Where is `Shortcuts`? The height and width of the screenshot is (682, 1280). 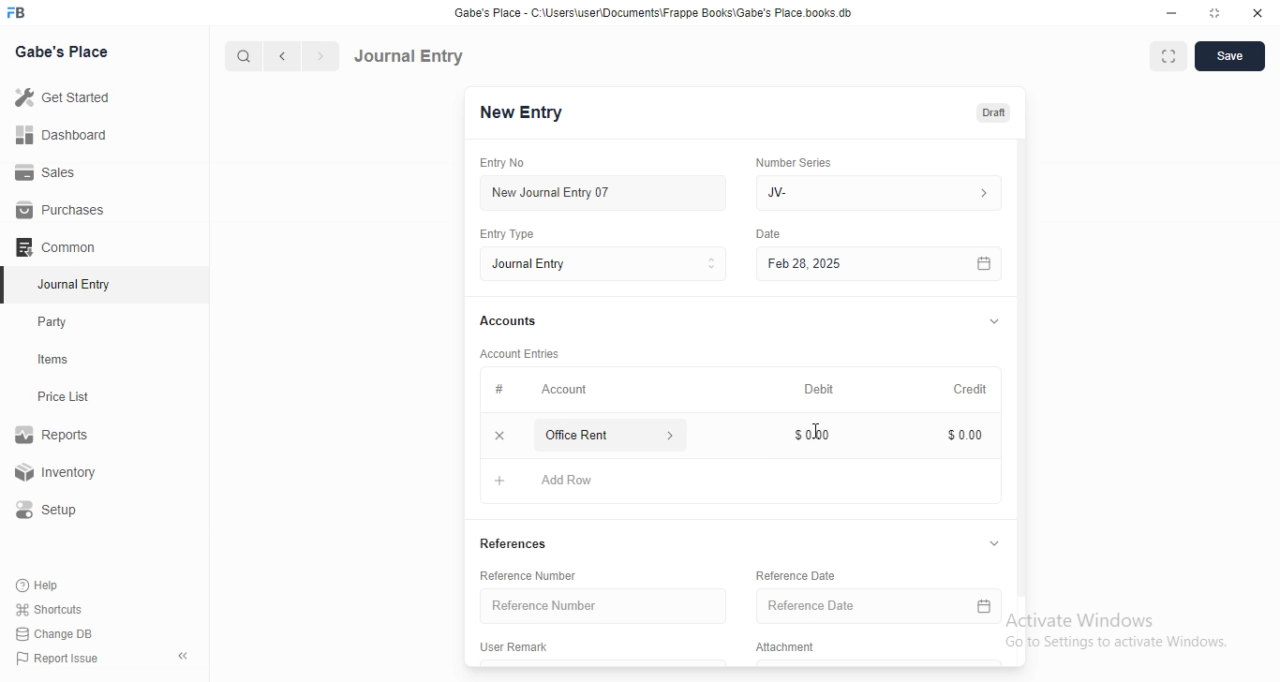 Shortcuts is located at coordinates (49, 608).